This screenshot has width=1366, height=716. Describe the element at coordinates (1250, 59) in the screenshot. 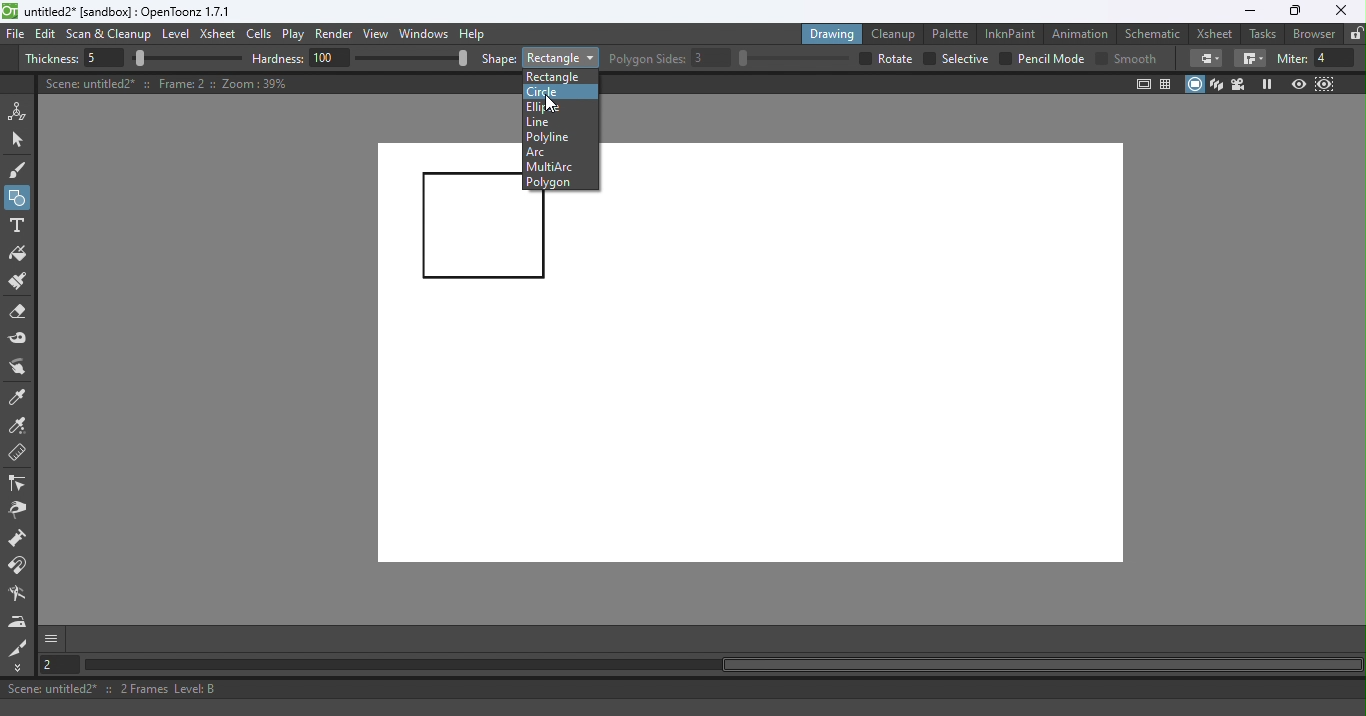

I see `Border corners` at that location.